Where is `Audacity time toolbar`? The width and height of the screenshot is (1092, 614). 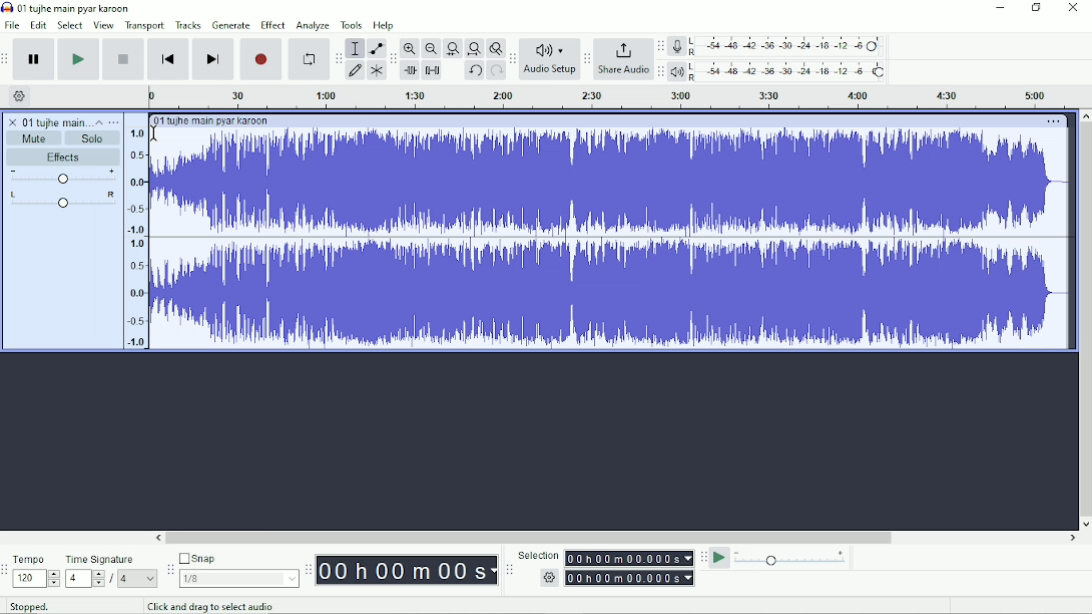
Audacity time toolbar is located at coordinates (308, 569).